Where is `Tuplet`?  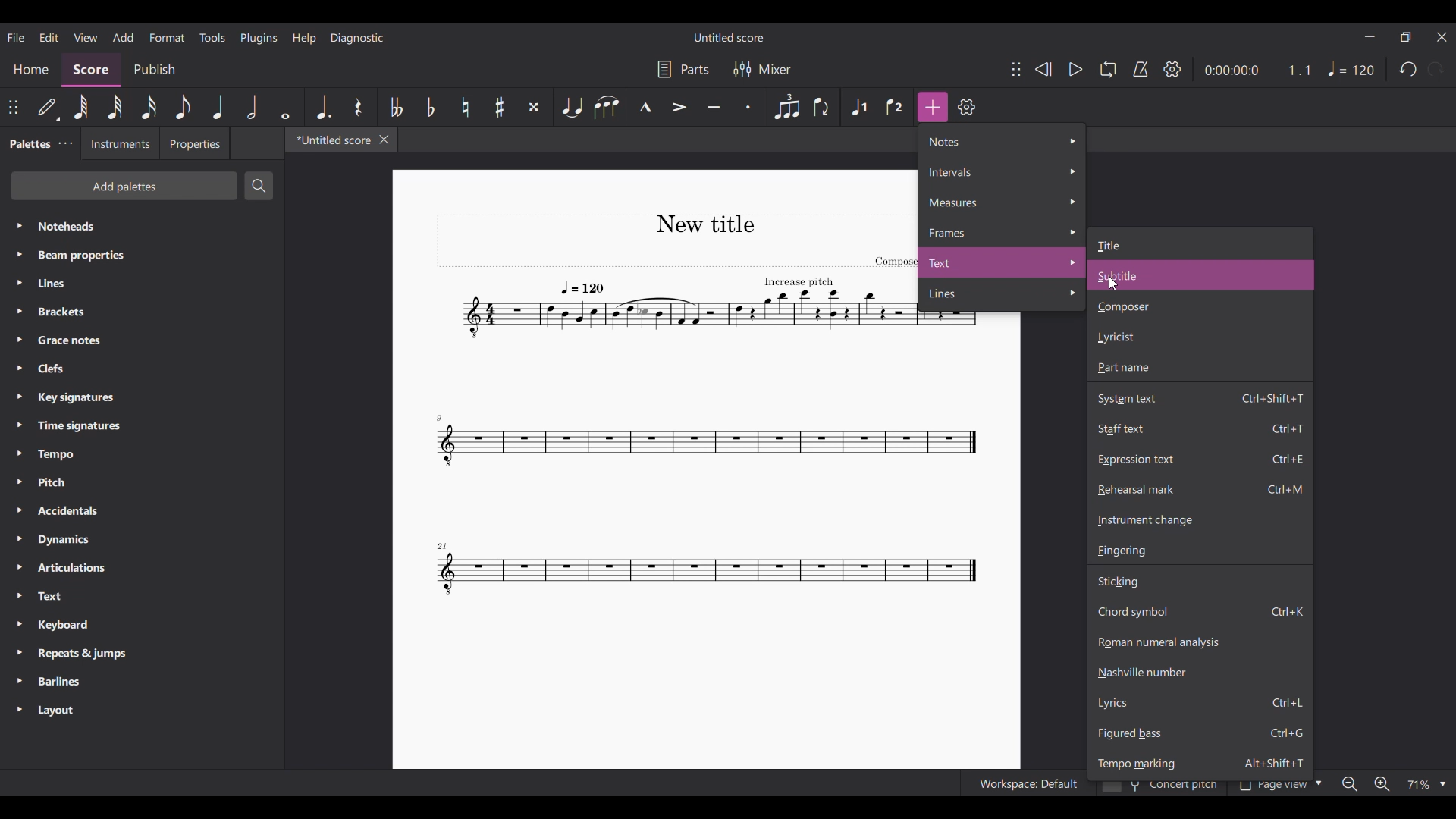
Tuplet is located at coordinates (786, 107).